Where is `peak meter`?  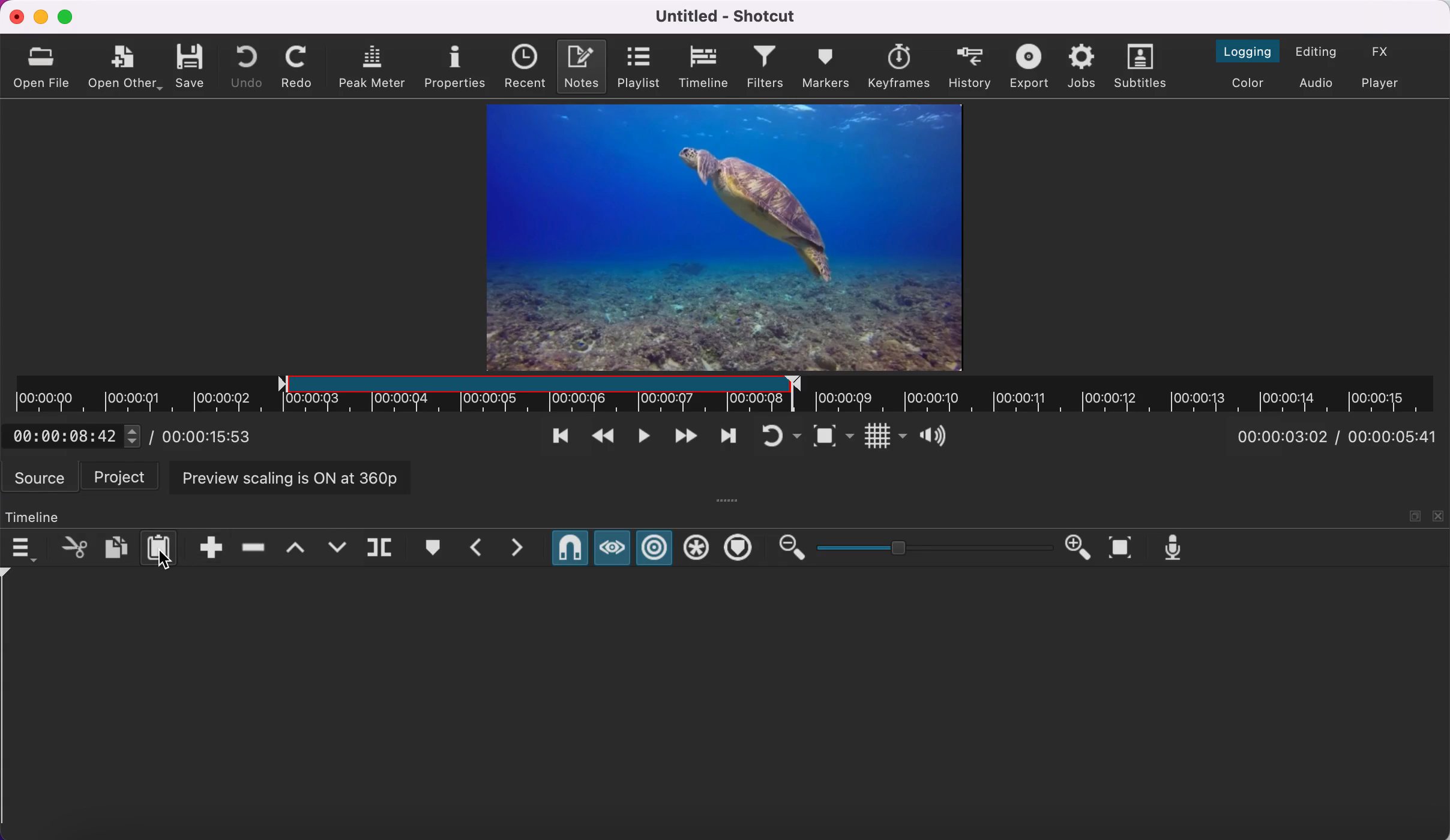 peak meter is located at coordinates (372, 66).